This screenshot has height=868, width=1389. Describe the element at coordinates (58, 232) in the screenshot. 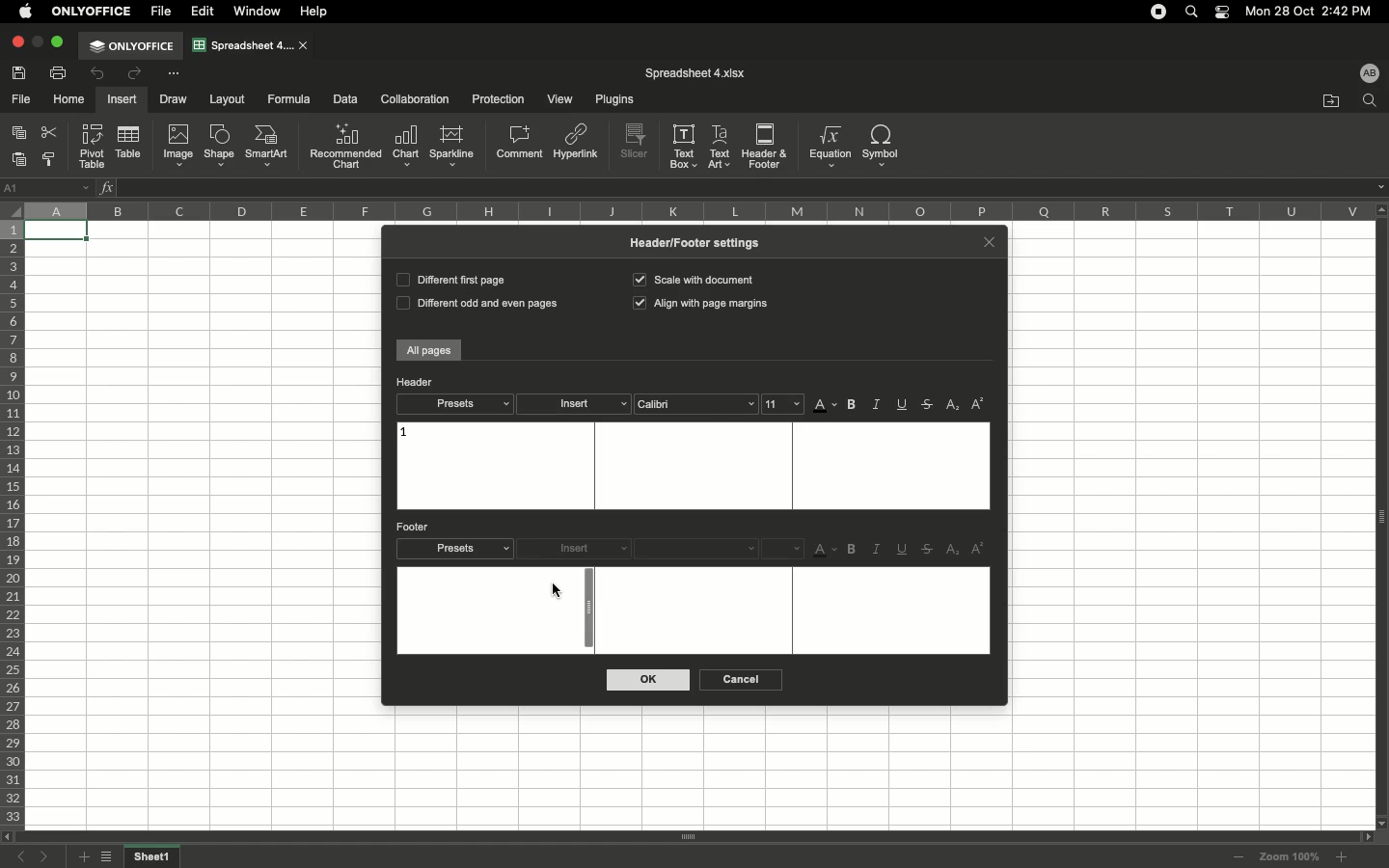

I see `Selected cell` at that location.